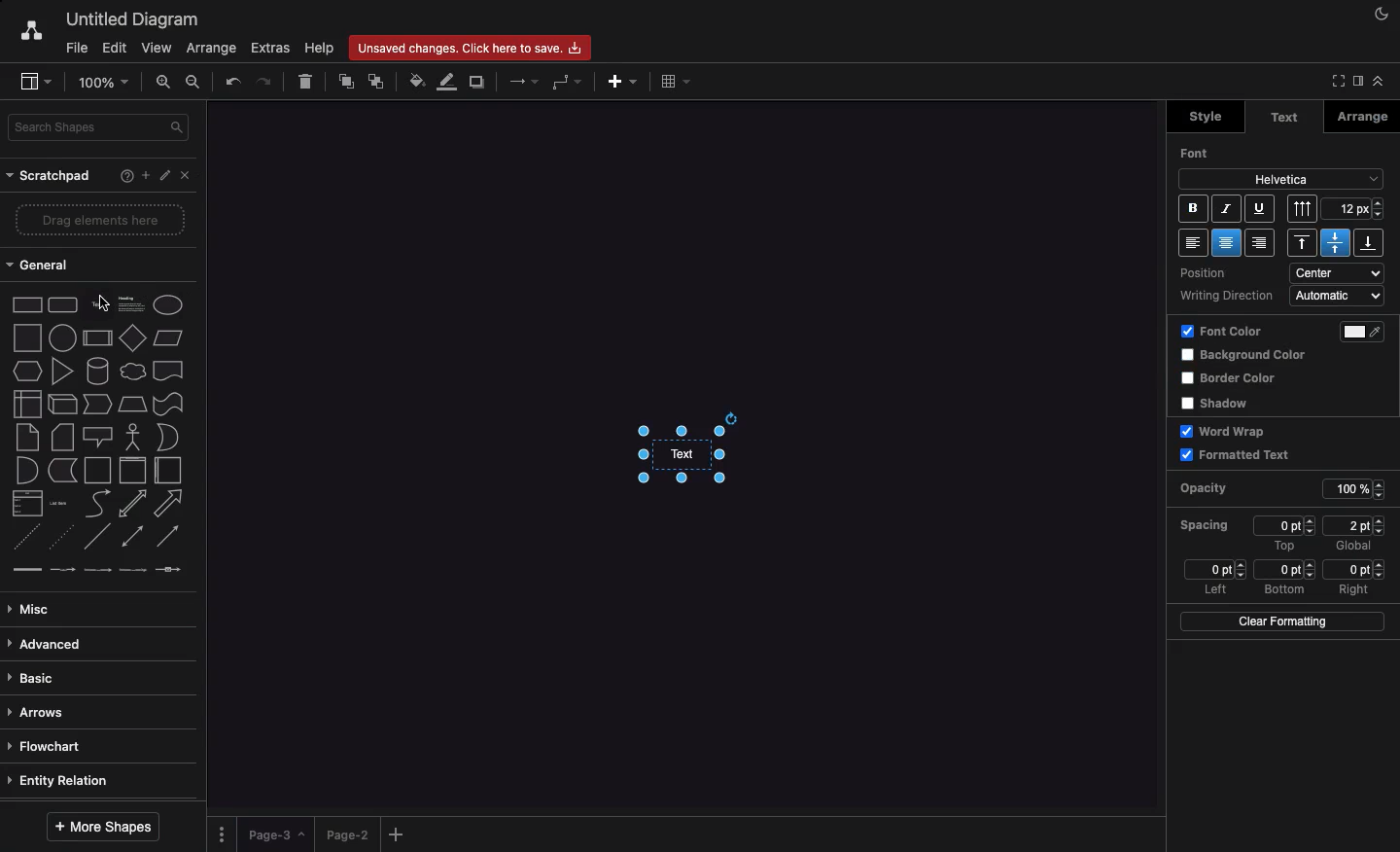 The image size is (1400, 852). Describe the element at coordinates (1284, 590) in the screenshot. I see `Bottom` at that location.